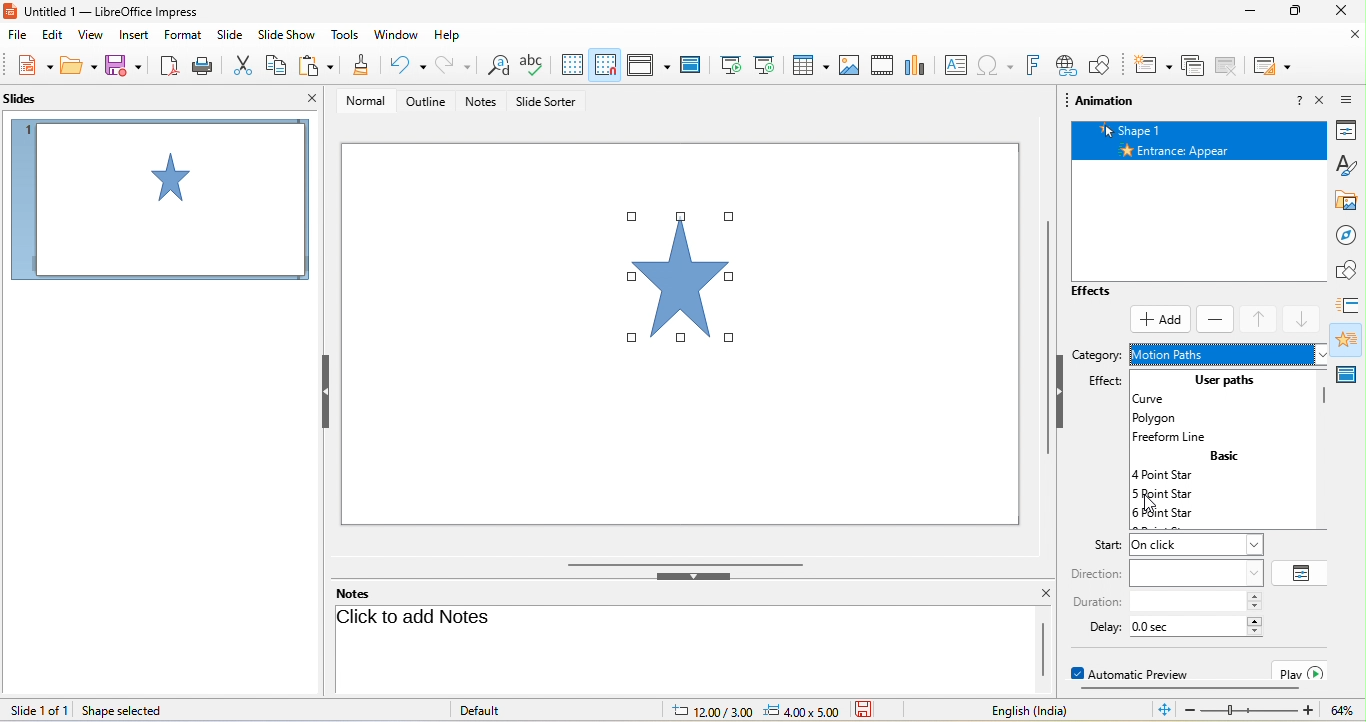  Describe the element at coordinates (132, 36) in the screenshot. I see `insert` at that location.